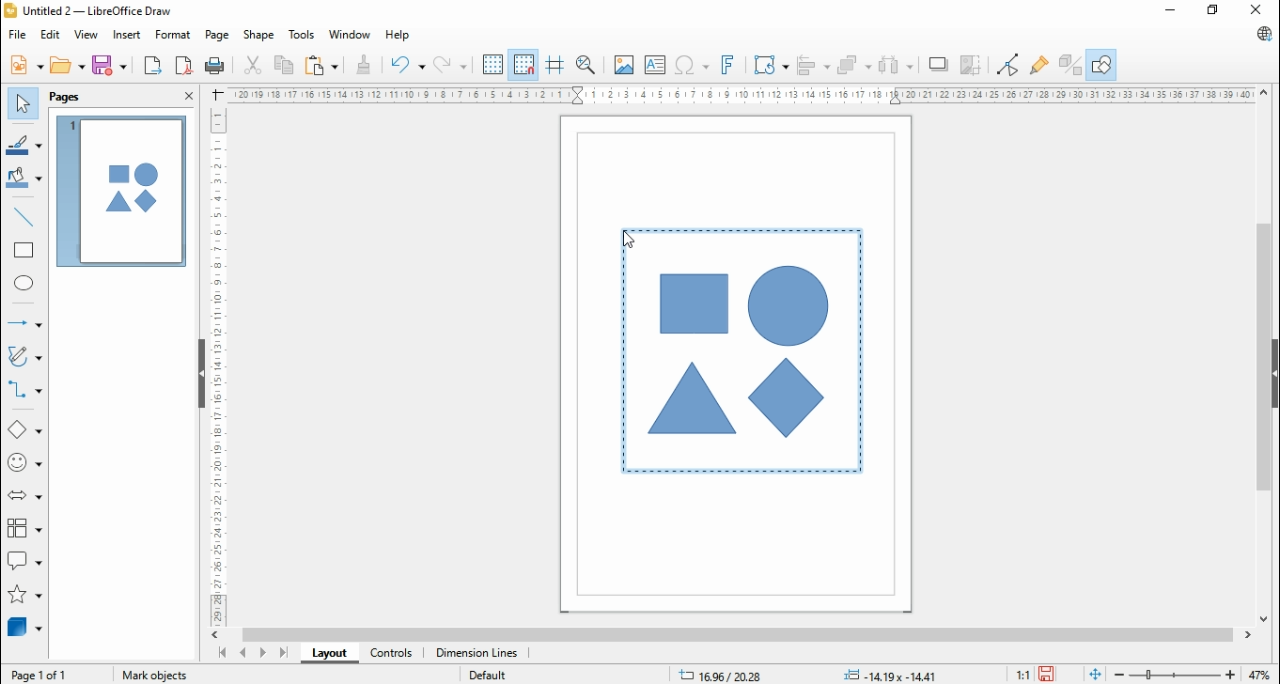  What do you see at coordinates (121, 192) in the screenshot?
I see `page 1` at bounding box center [121, 192].